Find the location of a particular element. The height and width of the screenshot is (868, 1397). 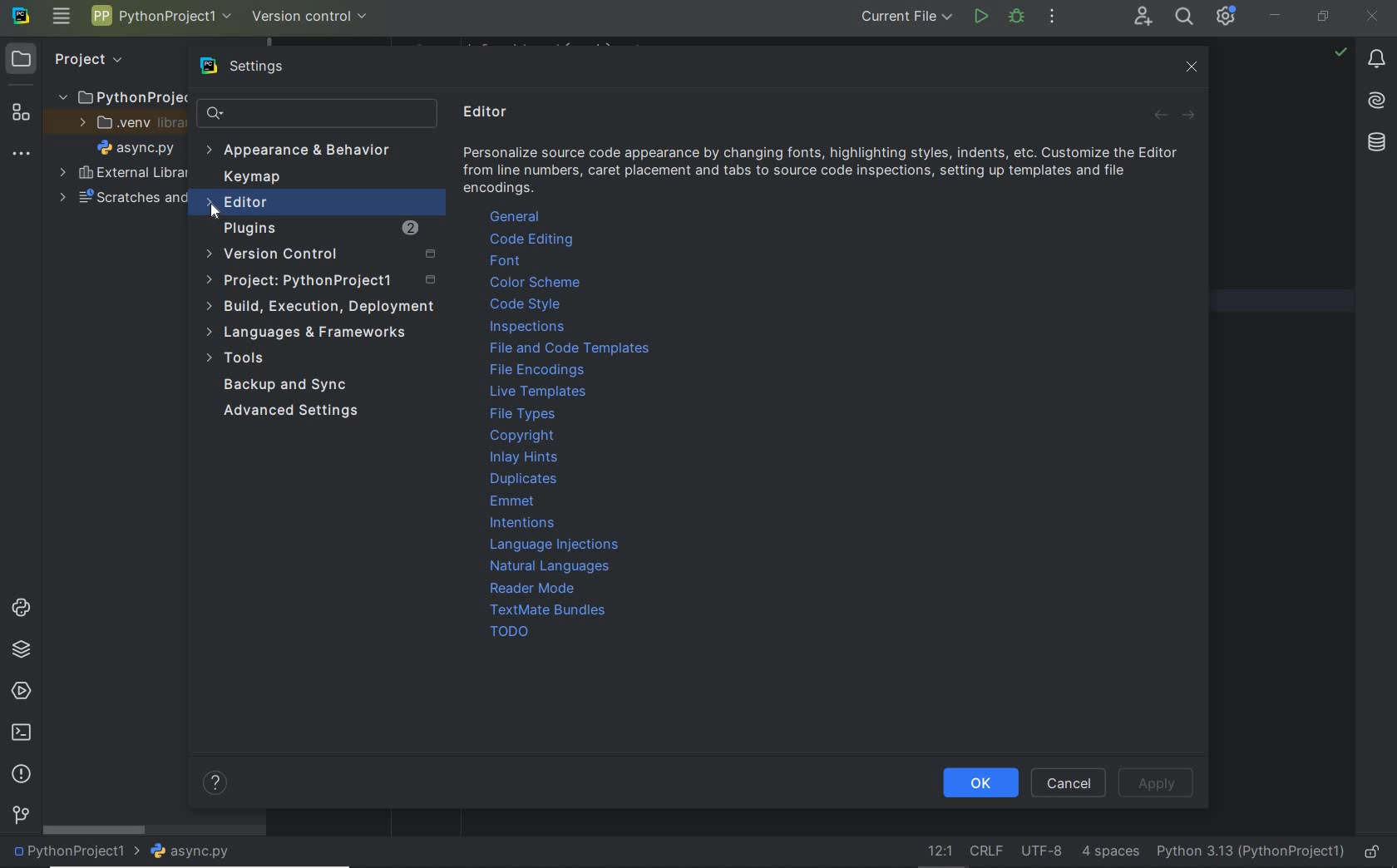

python packages is located at coordinates (21, 651).